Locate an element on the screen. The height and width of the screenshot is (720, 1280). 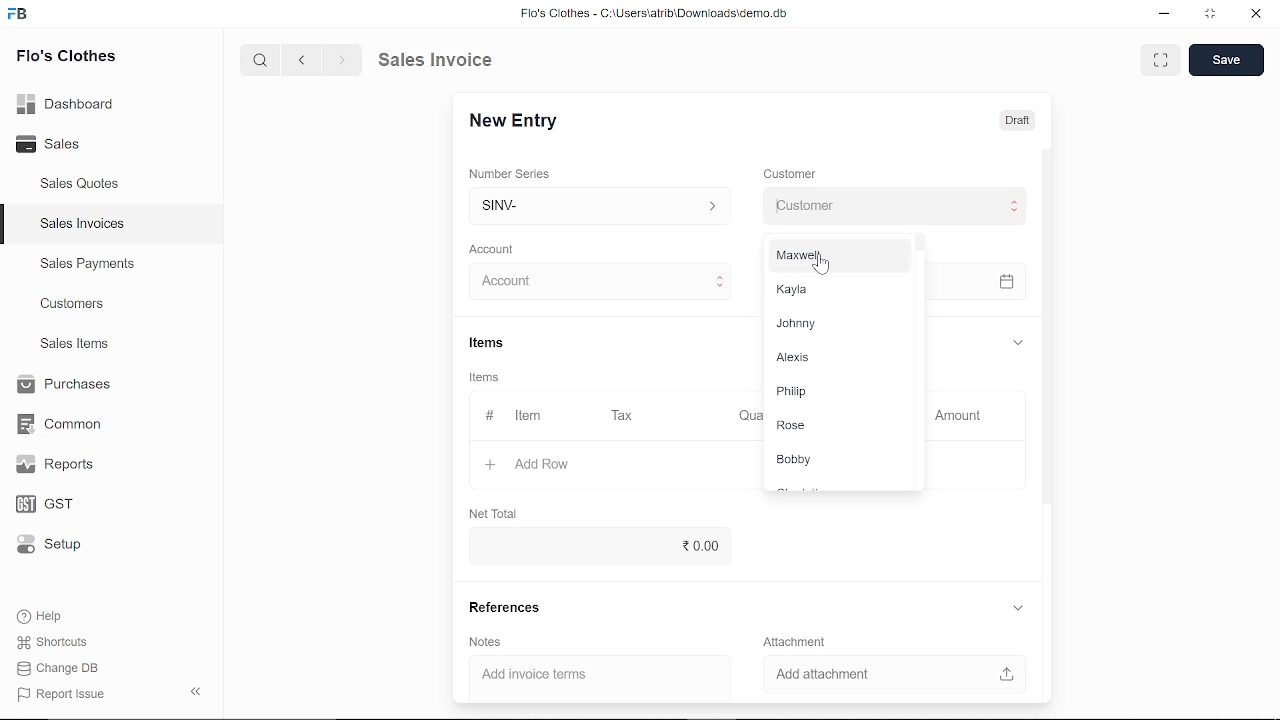
expand is located at coordinates (1019, 611).